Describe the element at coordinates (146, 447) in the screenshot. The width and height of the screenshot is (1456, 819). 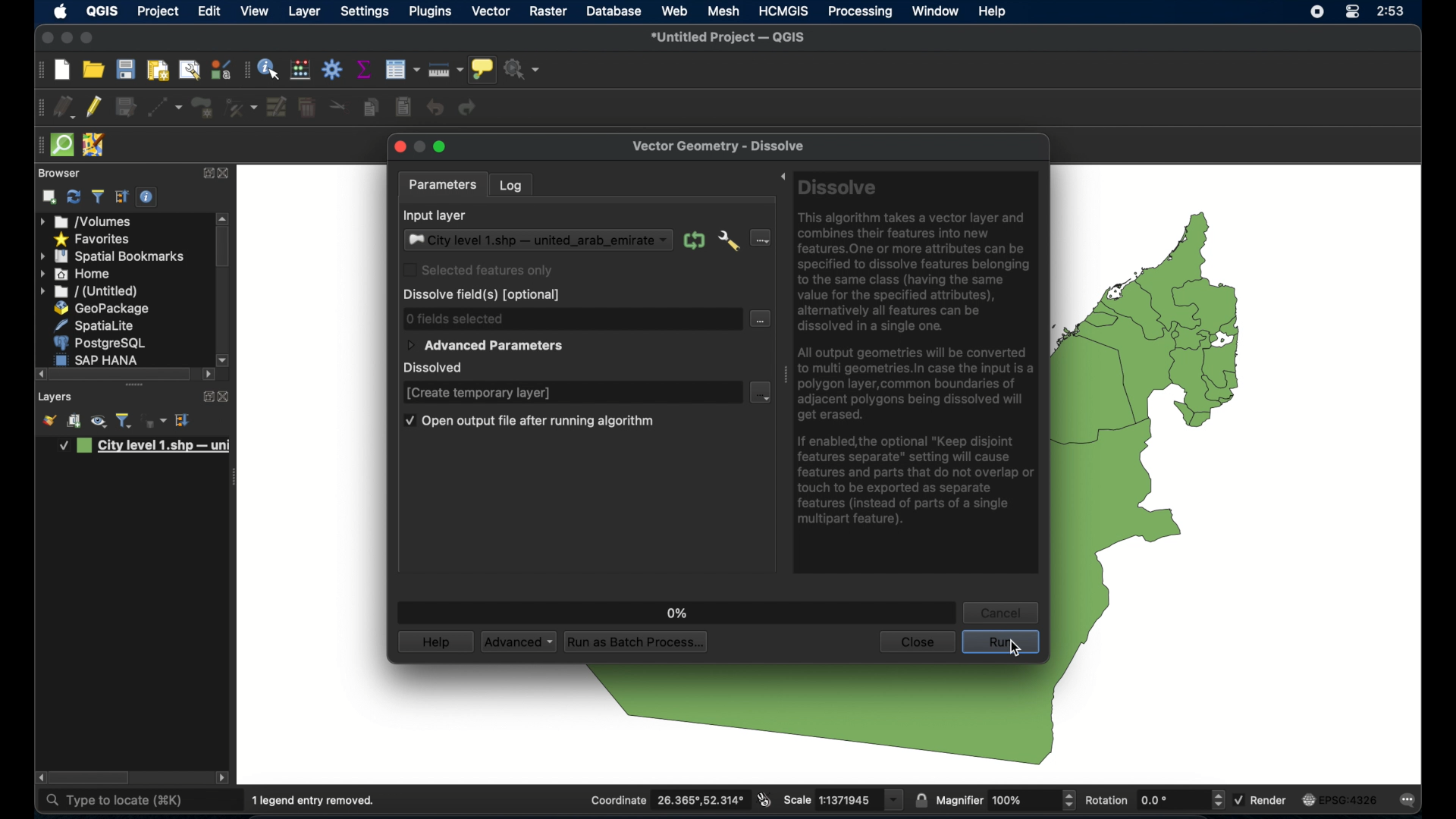
I see `layer 1` at that location.